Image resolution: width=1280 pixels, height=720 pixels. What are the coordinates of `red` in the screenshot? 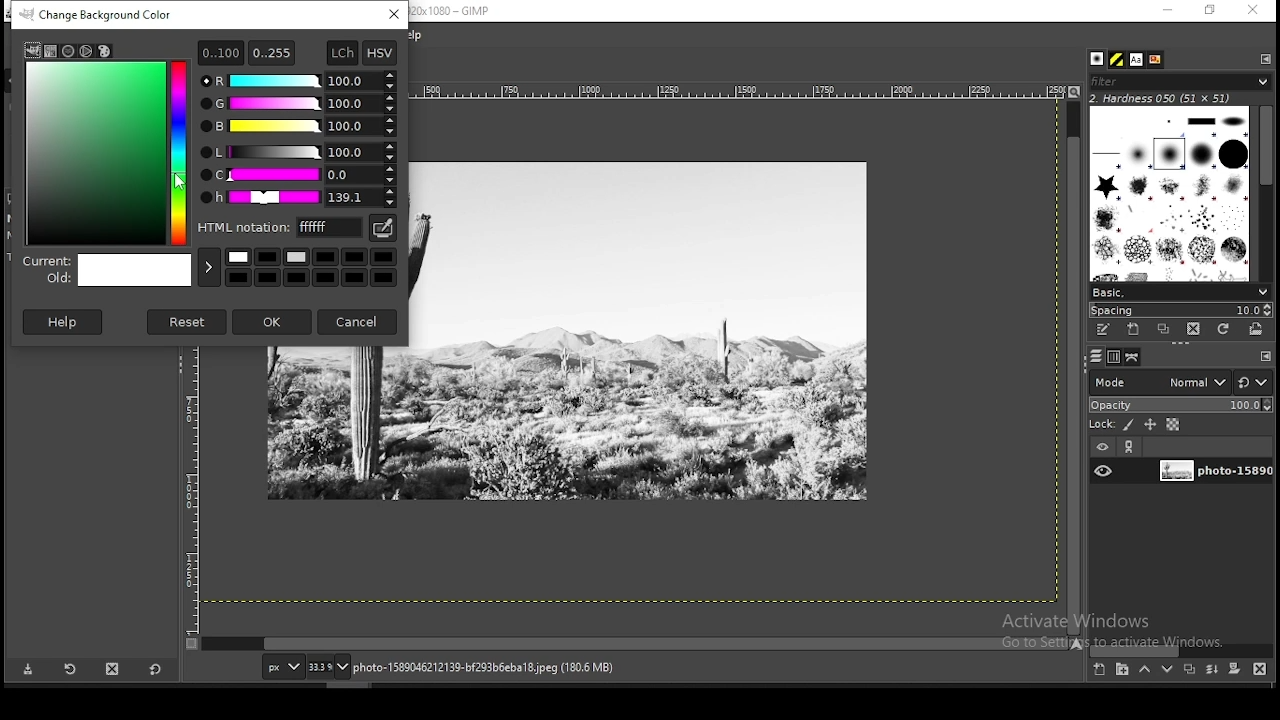 It's located at (298, 81).